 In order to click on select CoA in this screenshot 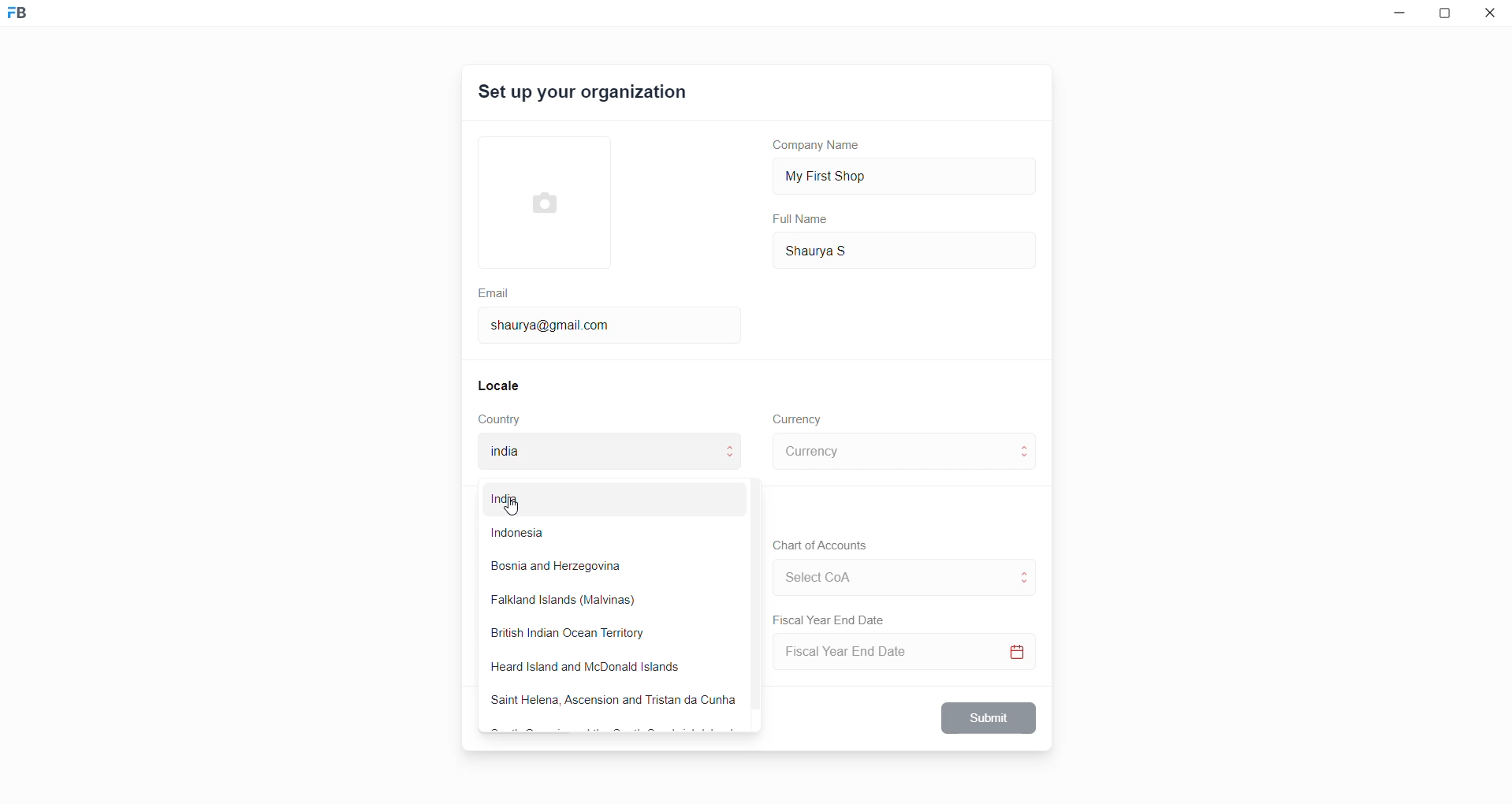, I will do `click(886, 575)`.